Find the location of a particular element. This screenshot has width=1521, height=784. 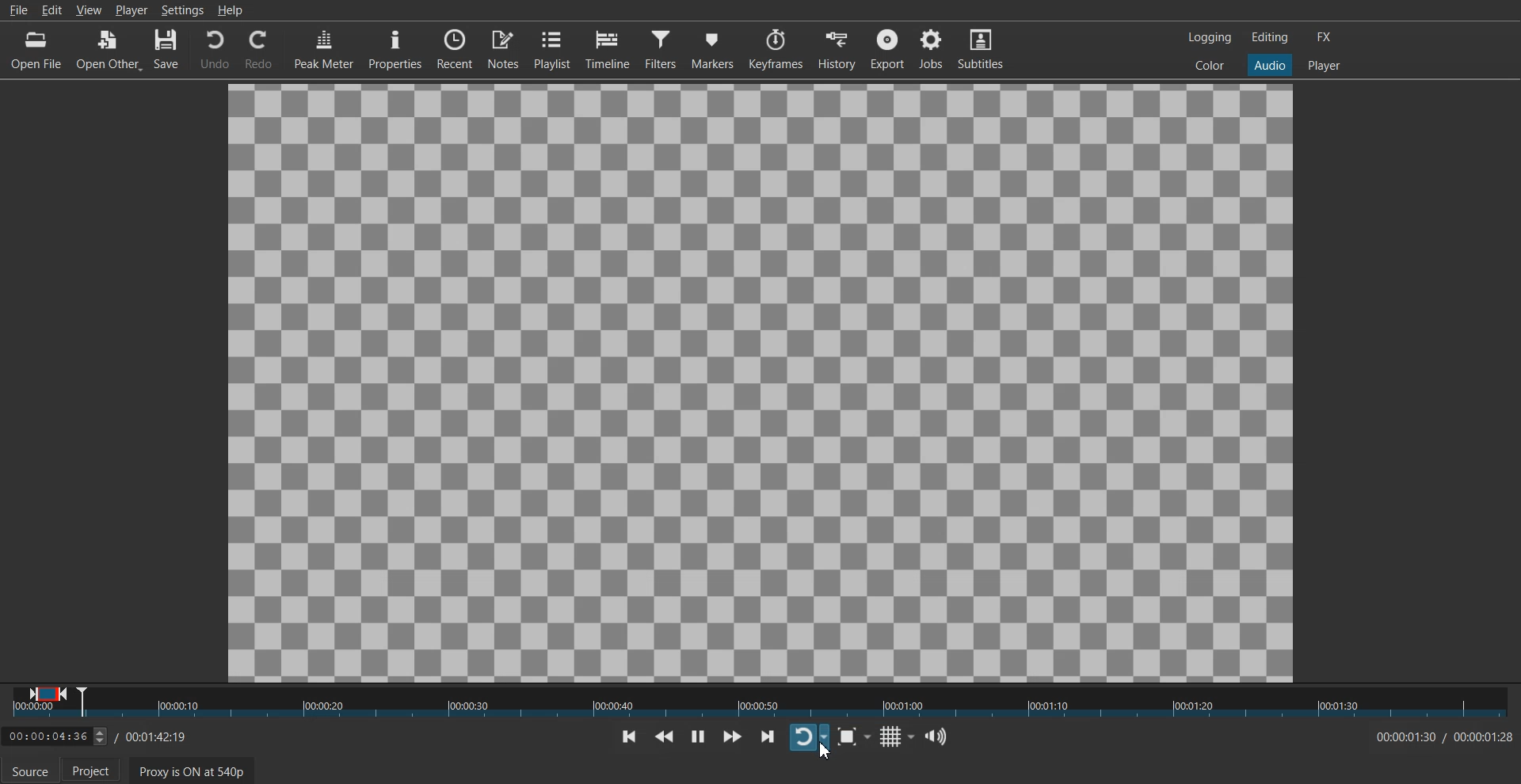

Toggle player looping is located at coordinates (809, 737).